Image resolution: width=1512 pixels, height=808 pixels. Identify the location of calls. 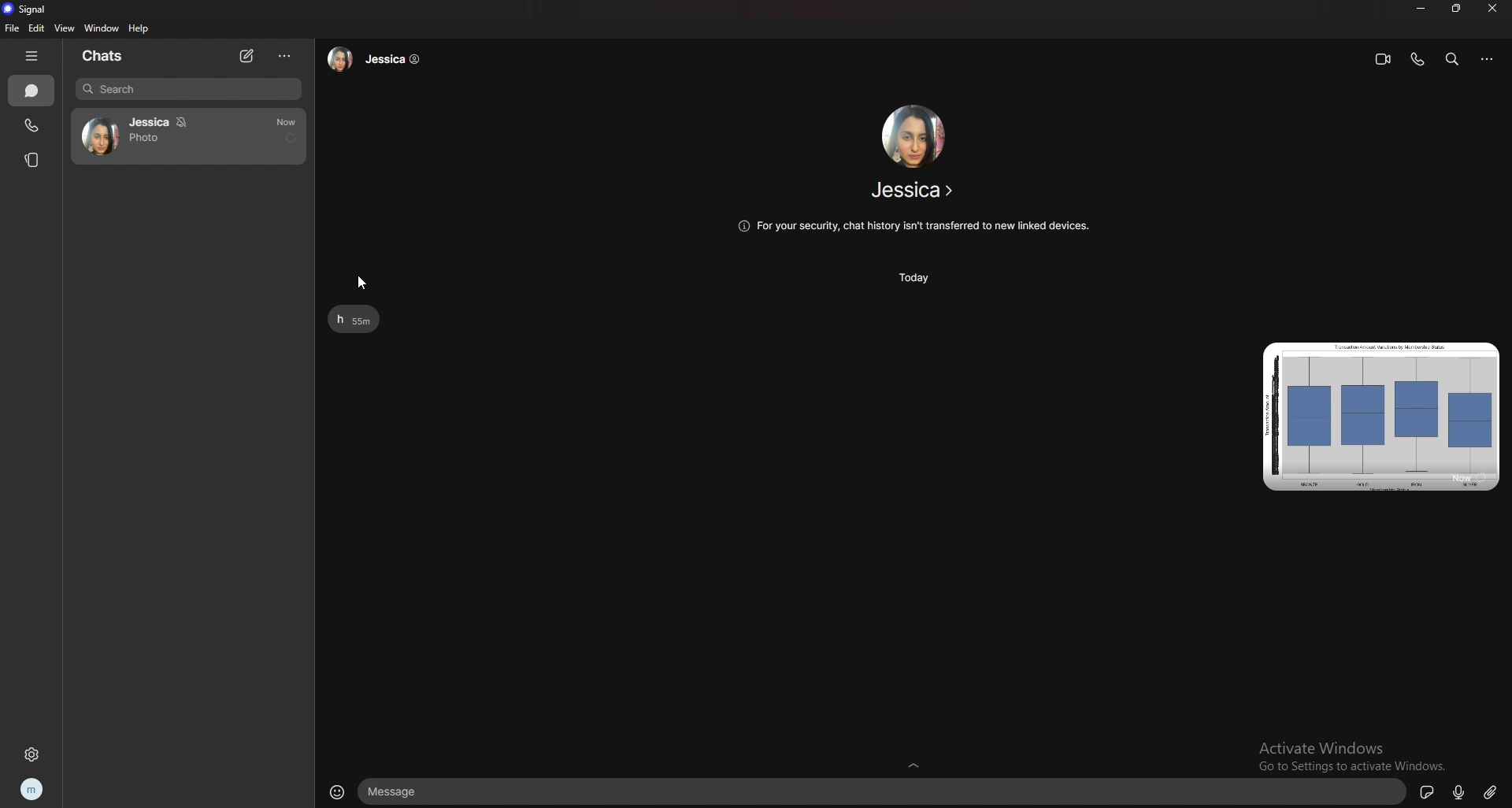
(32, 125).